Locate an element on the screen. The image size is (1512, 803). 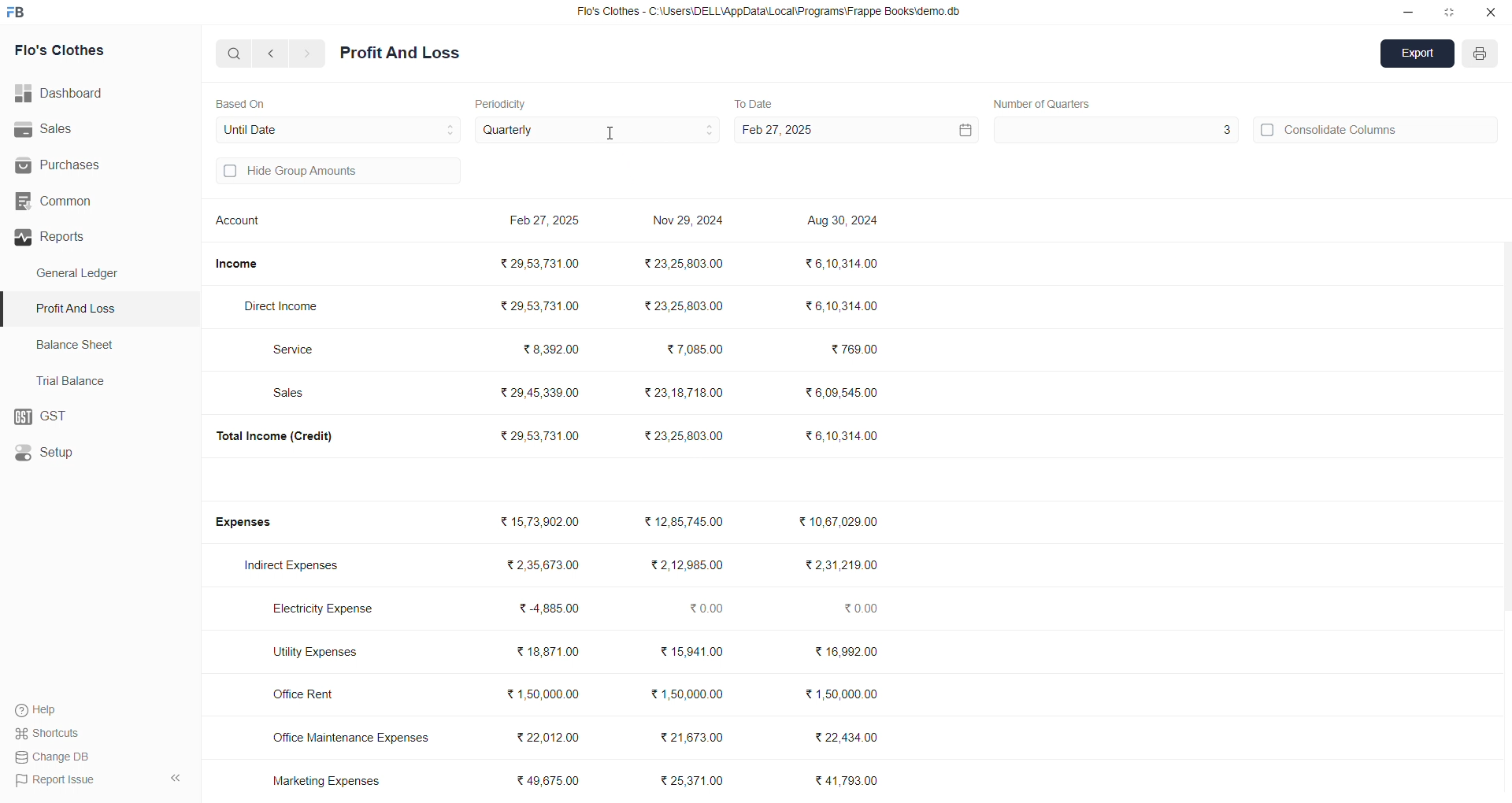
Profit And Loss is located at coordinates (400, 54).